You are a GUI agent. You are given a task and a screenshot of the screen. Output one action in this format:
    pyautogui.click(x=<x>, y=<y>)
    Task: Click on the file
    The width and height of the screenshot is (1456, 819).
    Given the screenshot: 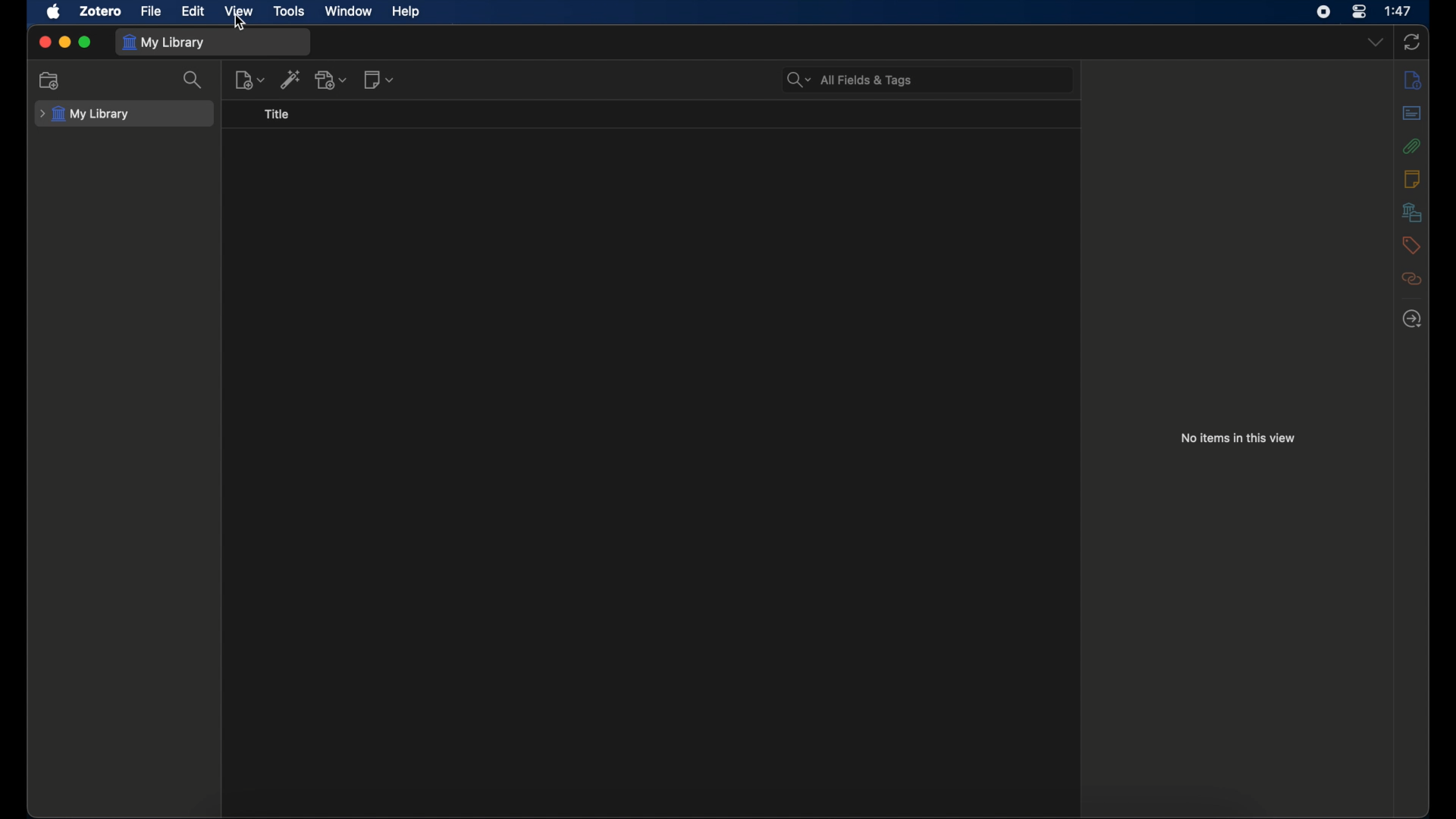 What is the action you would take?
    pyautogui.click(x=151, y=11)
    